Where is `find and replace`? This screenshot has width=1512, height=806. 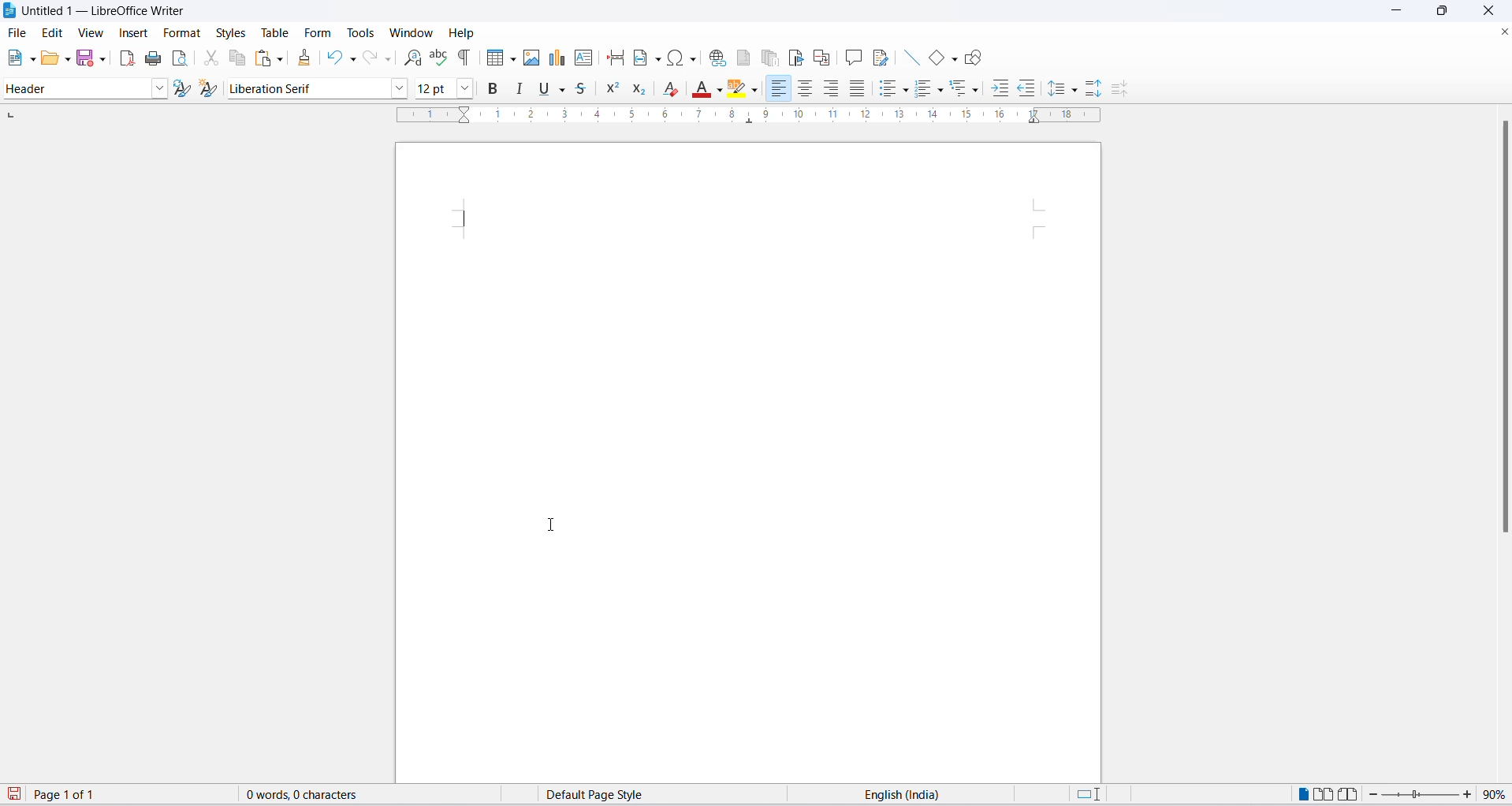 find and replace is located at coordinates (410, 58).